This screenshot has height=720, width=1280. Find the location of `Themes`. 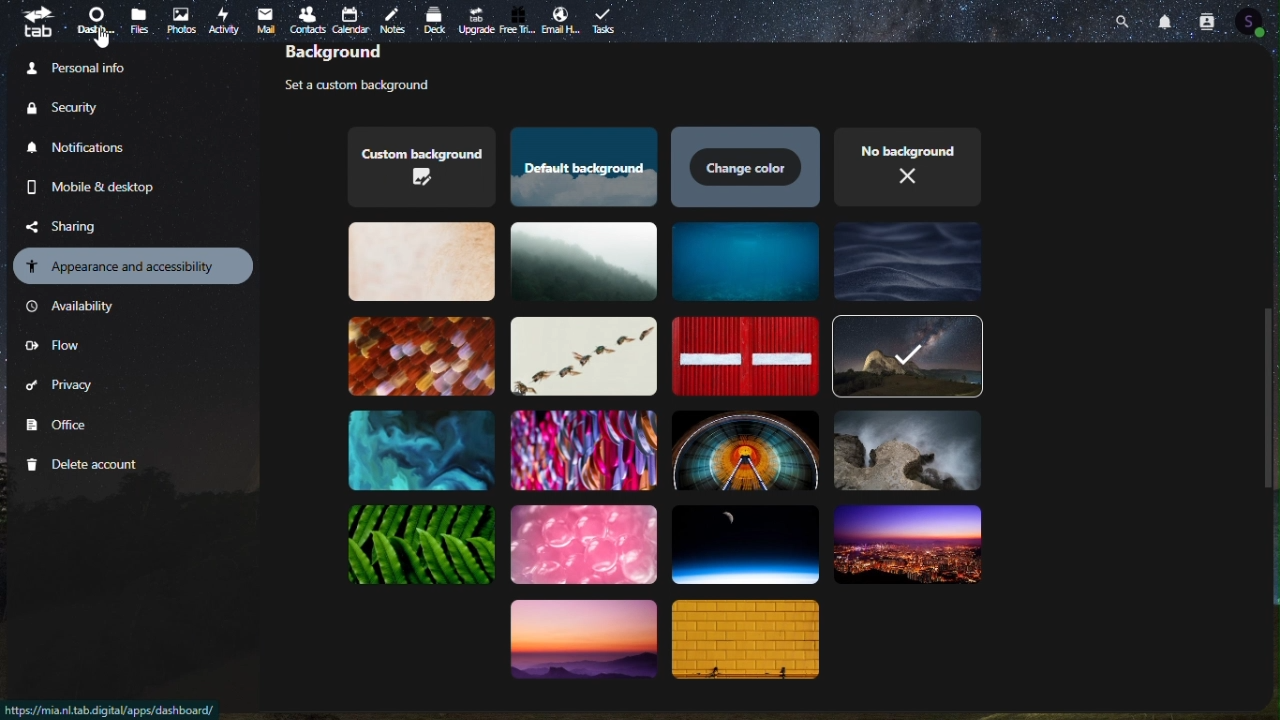

Themes is located at coordinates (907, 355).